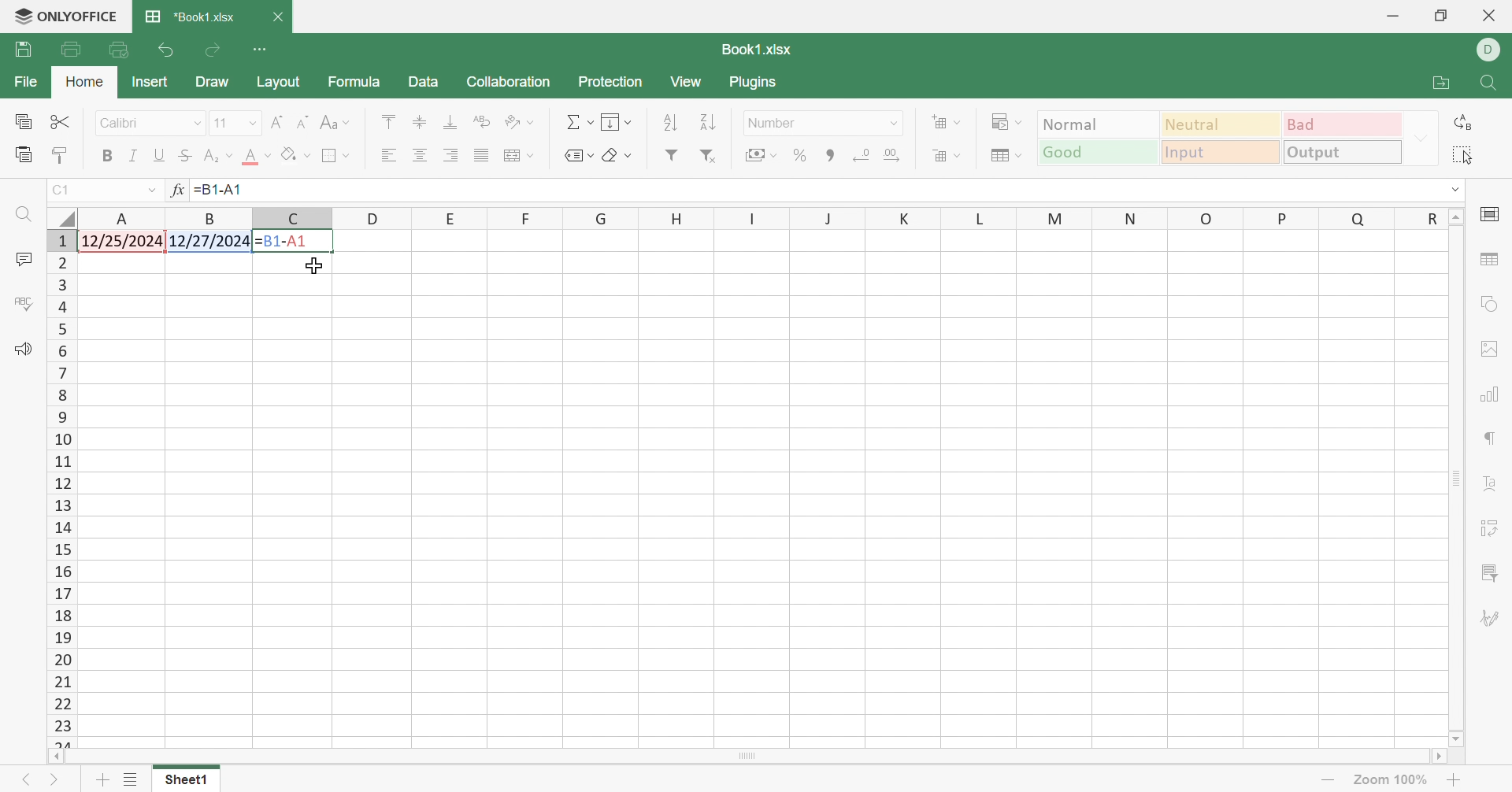 The image size is (1512, 792). Describe the element at coordinates (254, 124) in the screenshot. I see `Drop Down` at that location.